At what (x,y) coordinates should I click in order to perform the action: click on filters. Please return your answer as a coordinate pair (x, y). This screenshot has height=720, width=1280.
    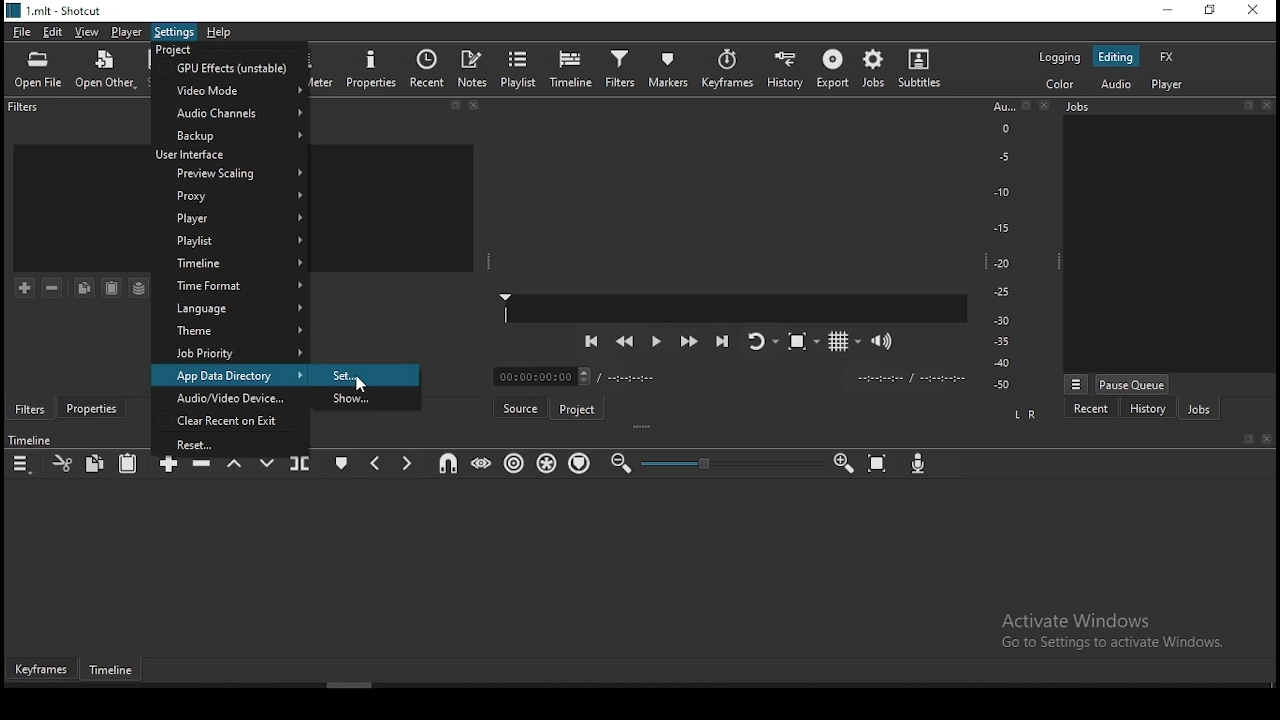
    Looking at the image, I should click on (25, 110).